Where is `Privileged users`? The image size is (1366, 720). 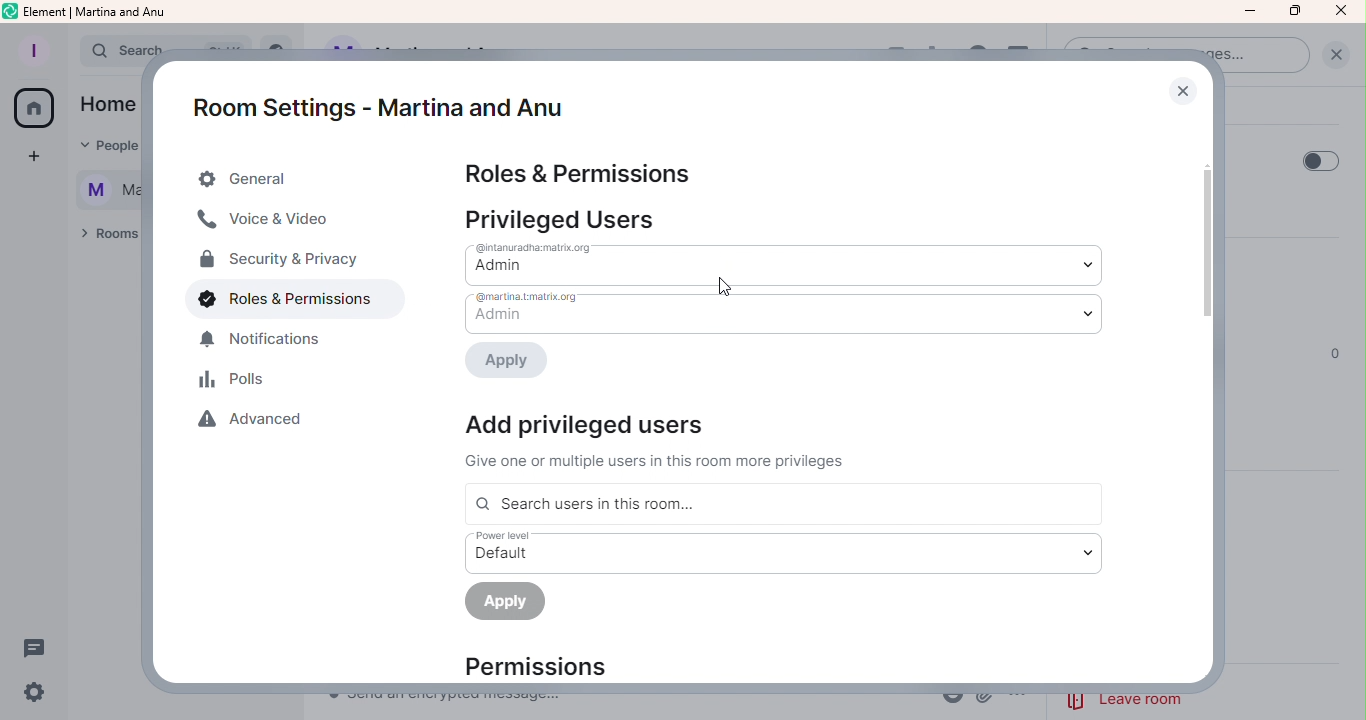 Privileged users is located at coordinates (567, 218).